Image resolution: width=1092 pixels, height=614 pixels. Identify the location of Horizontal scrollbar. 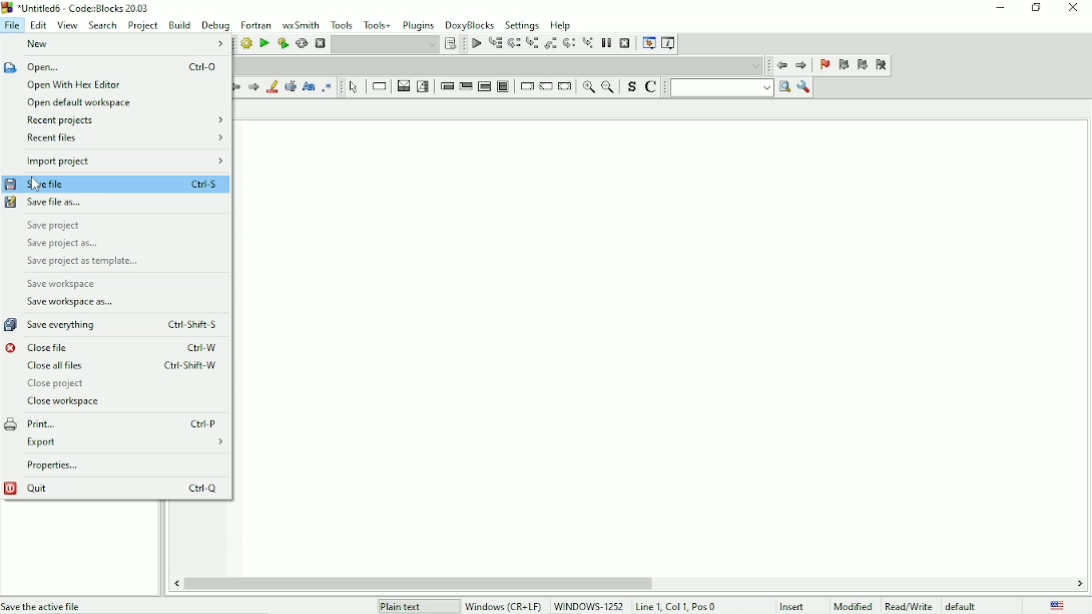
(417, 582).